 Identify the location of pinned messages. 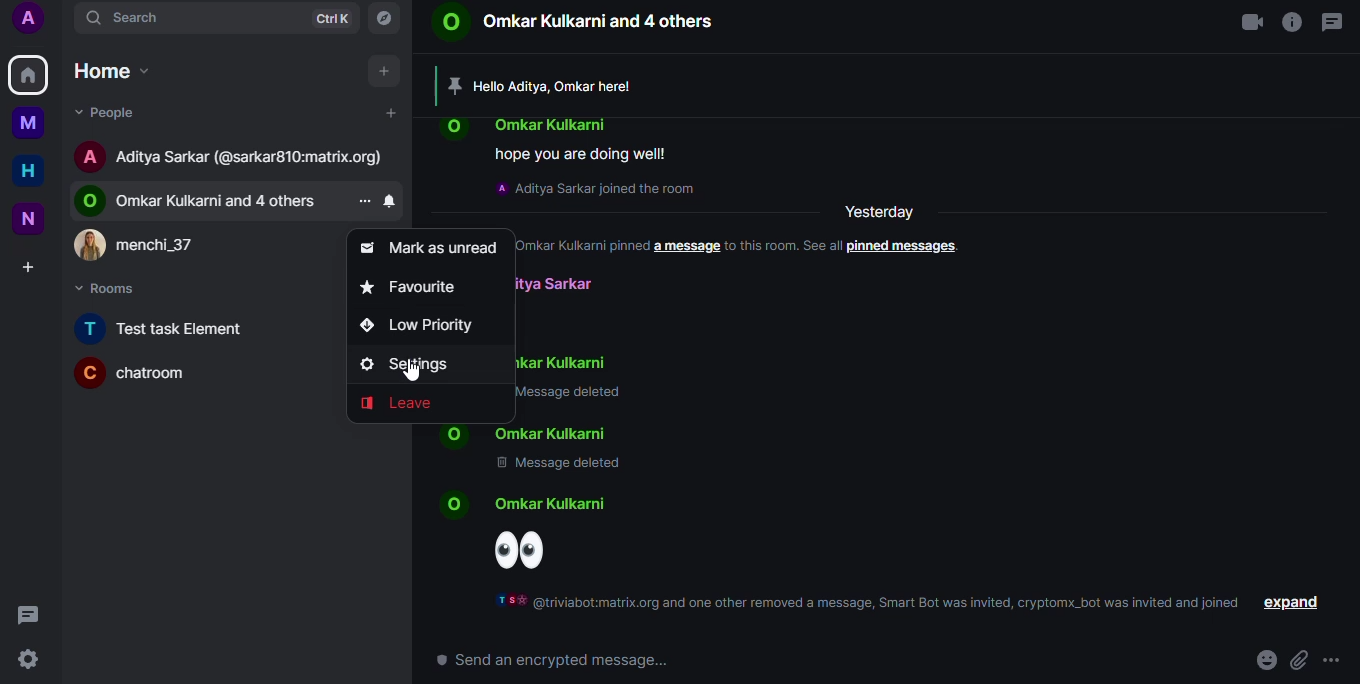
(907, 247).